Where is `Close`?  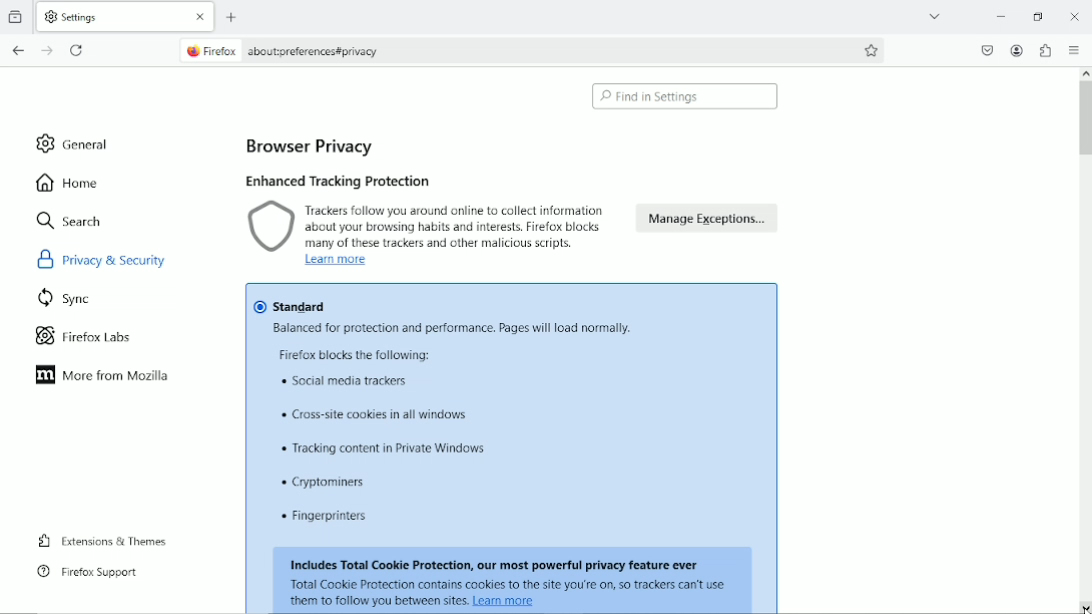 Close is located at coordinates (1075, 15).